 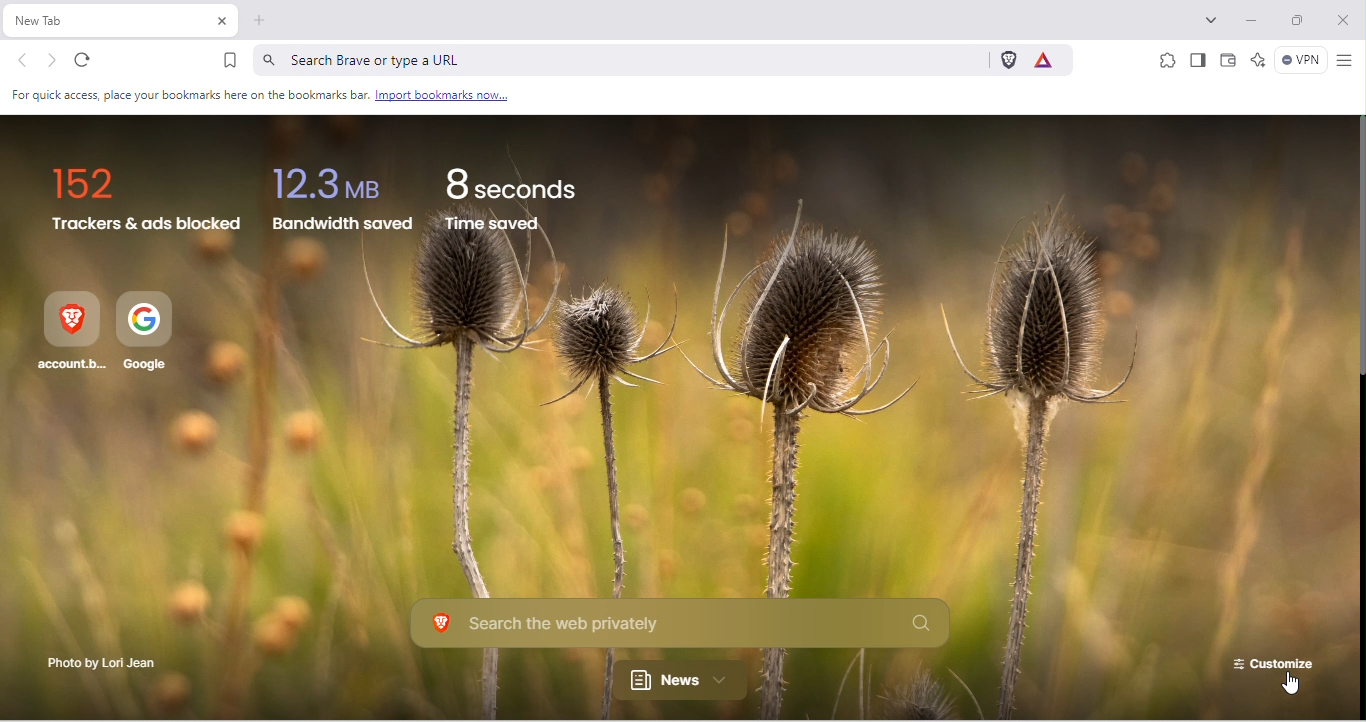 What do you see at coordinates (98, 665) in the screenshot?
I see `Photo by lori jean` at bounding box center [98, 665].